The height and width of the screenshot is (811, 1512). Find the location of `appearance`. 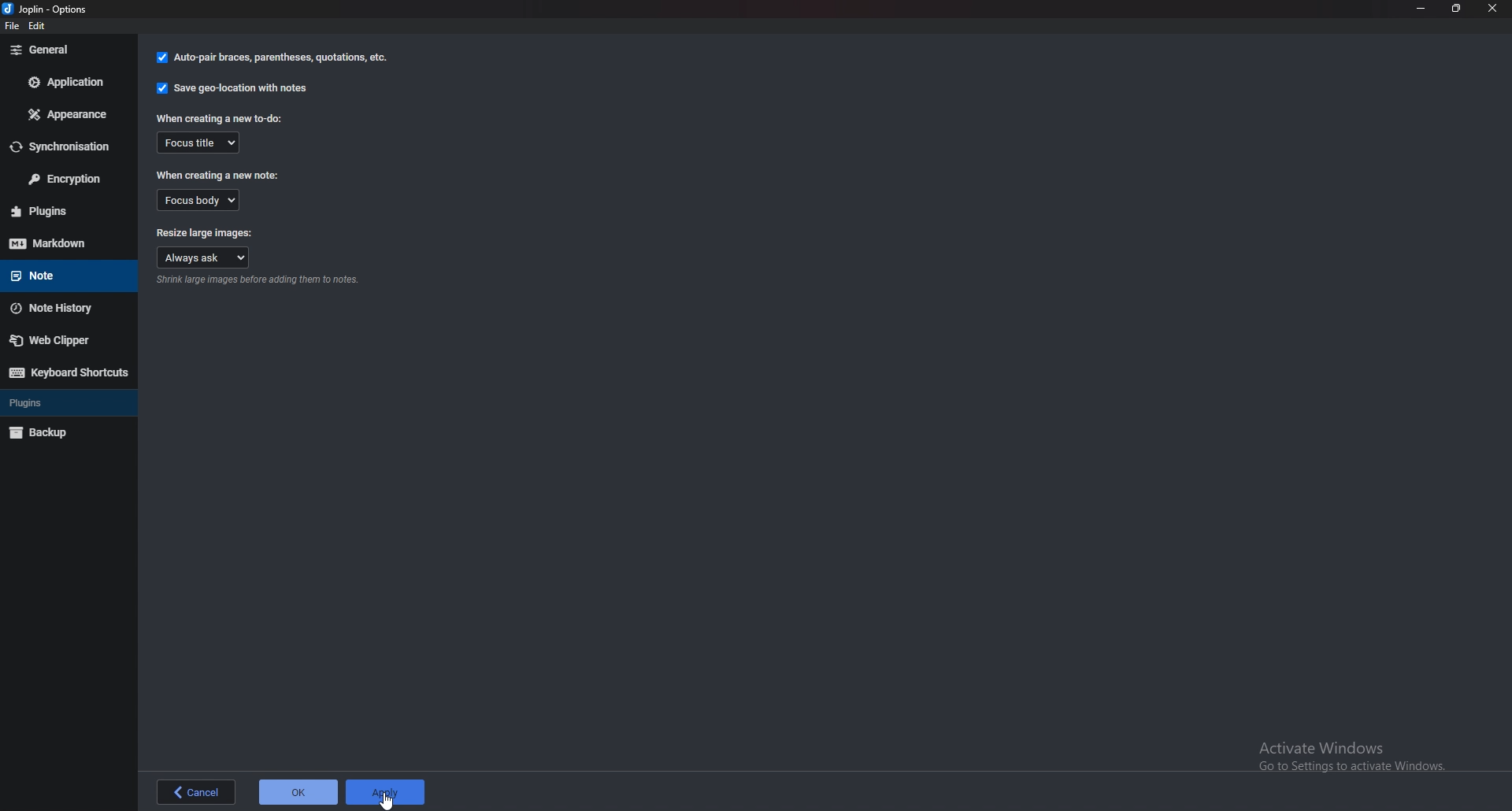

appearance is located at coordinates (69, 115).